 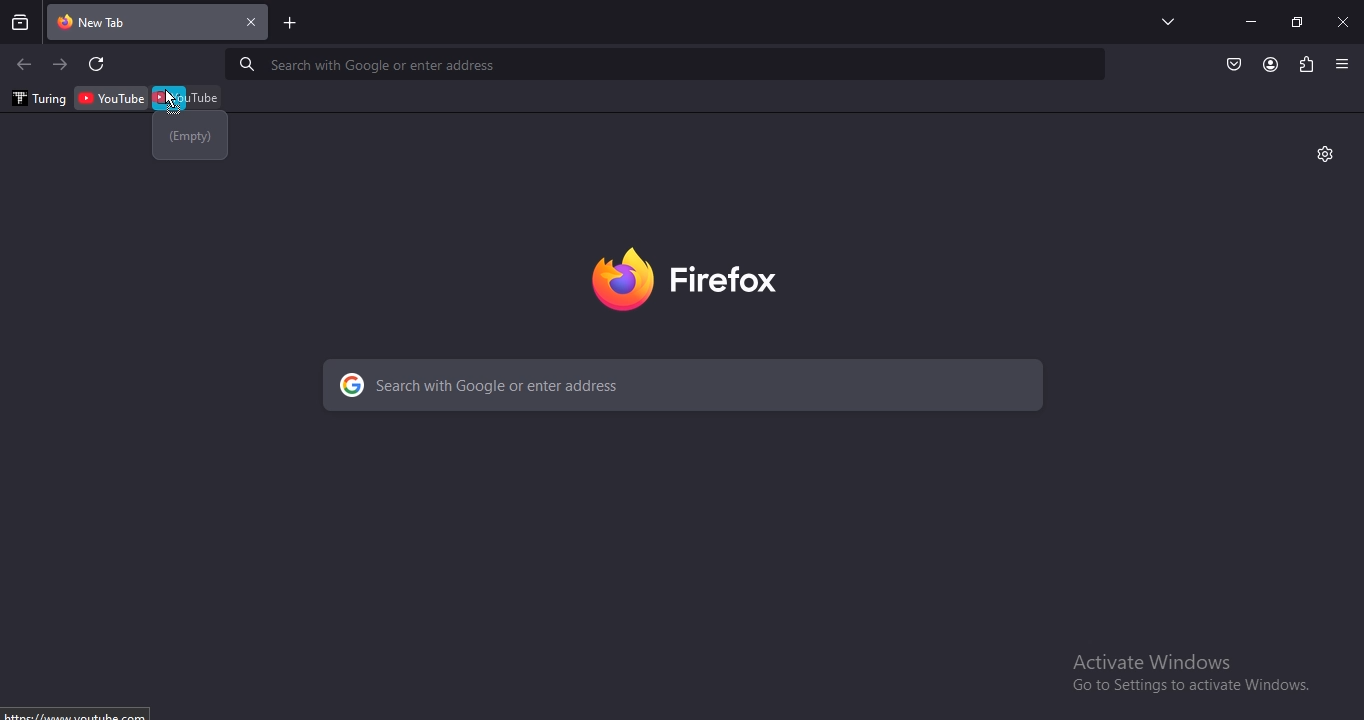 I want to click on youtube, so click(x=113, y=97).